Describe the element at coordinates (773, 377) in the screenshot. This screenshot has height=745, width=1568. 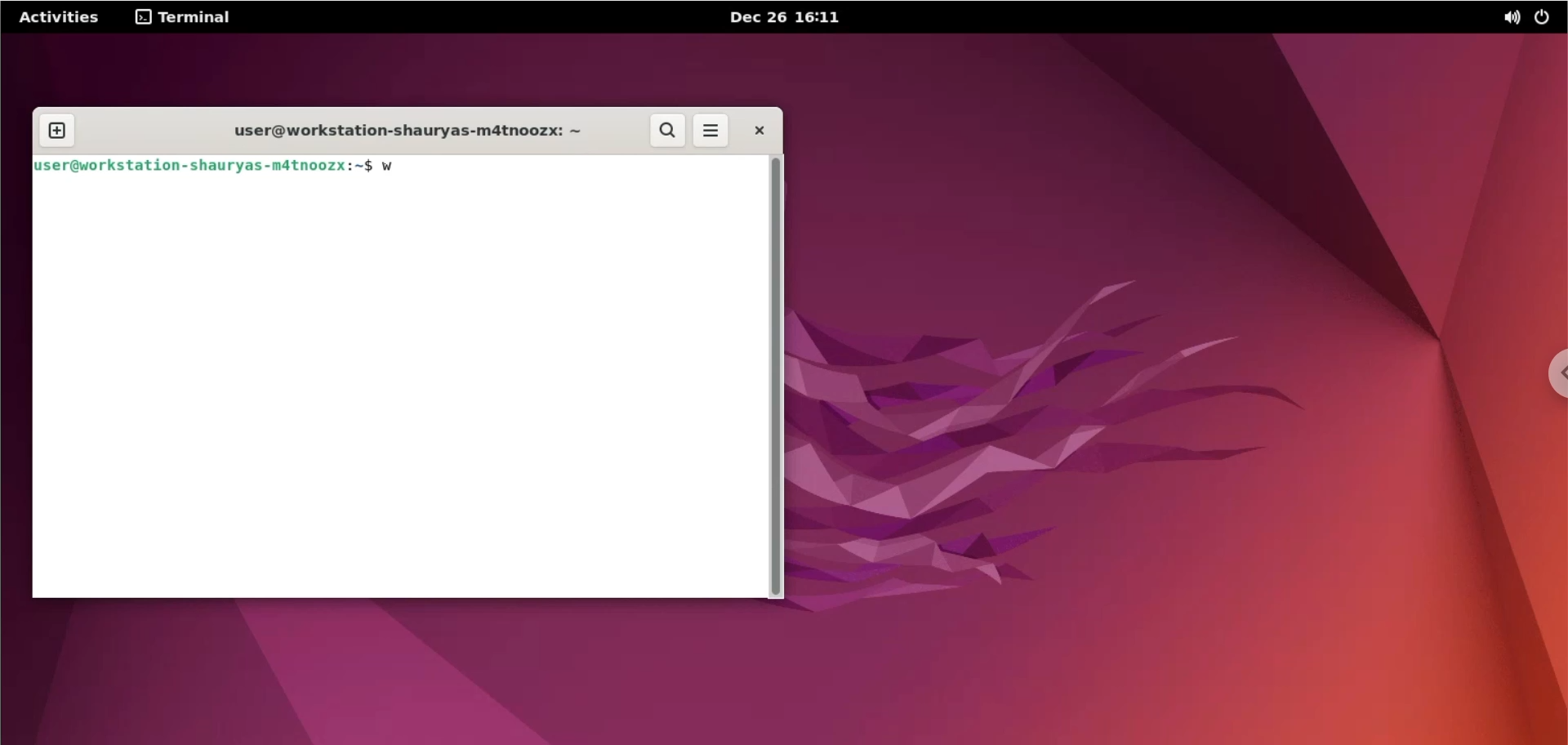
I see `scrollbar` at that location.